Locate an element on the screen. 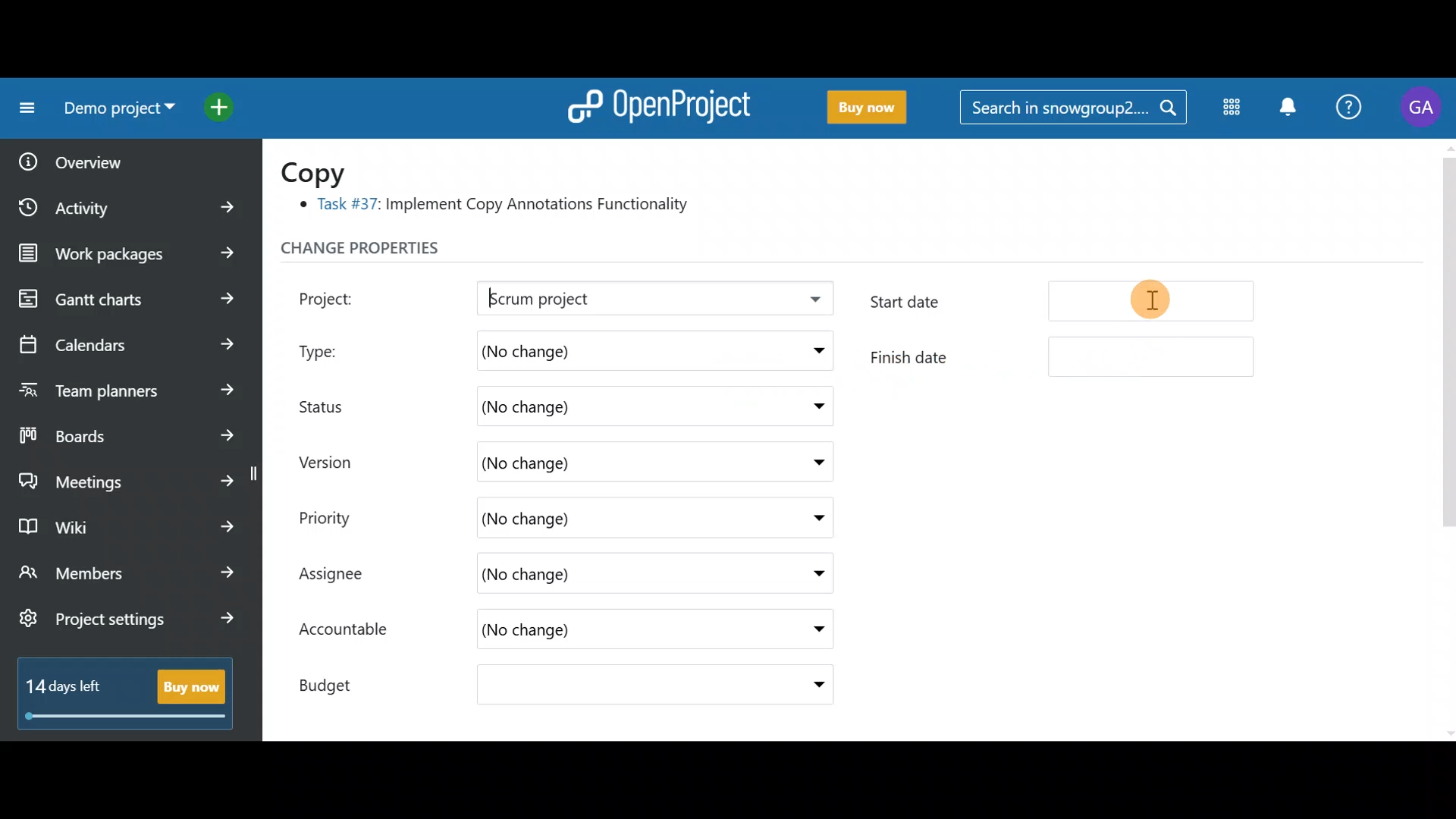 This screenshot has width=1456, height=819. Help is located at coordinates (1350, 109).